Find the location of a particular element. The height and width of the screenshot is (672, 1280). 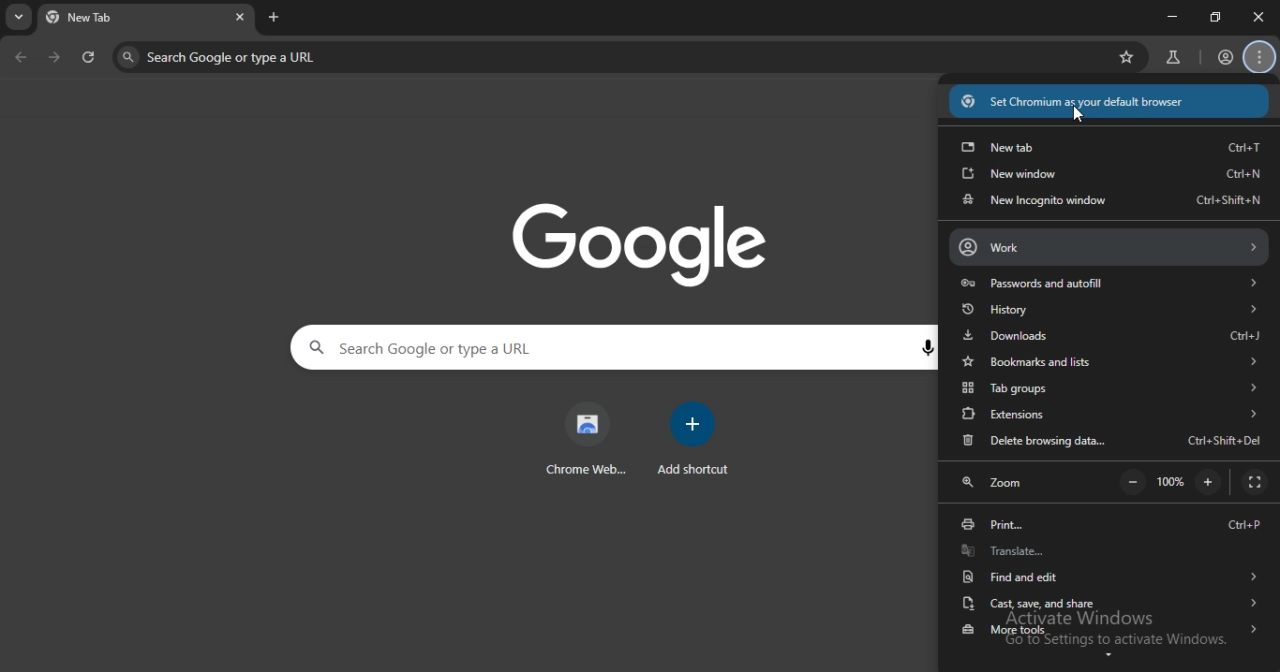

close tab is located at coordinates (243, 18).